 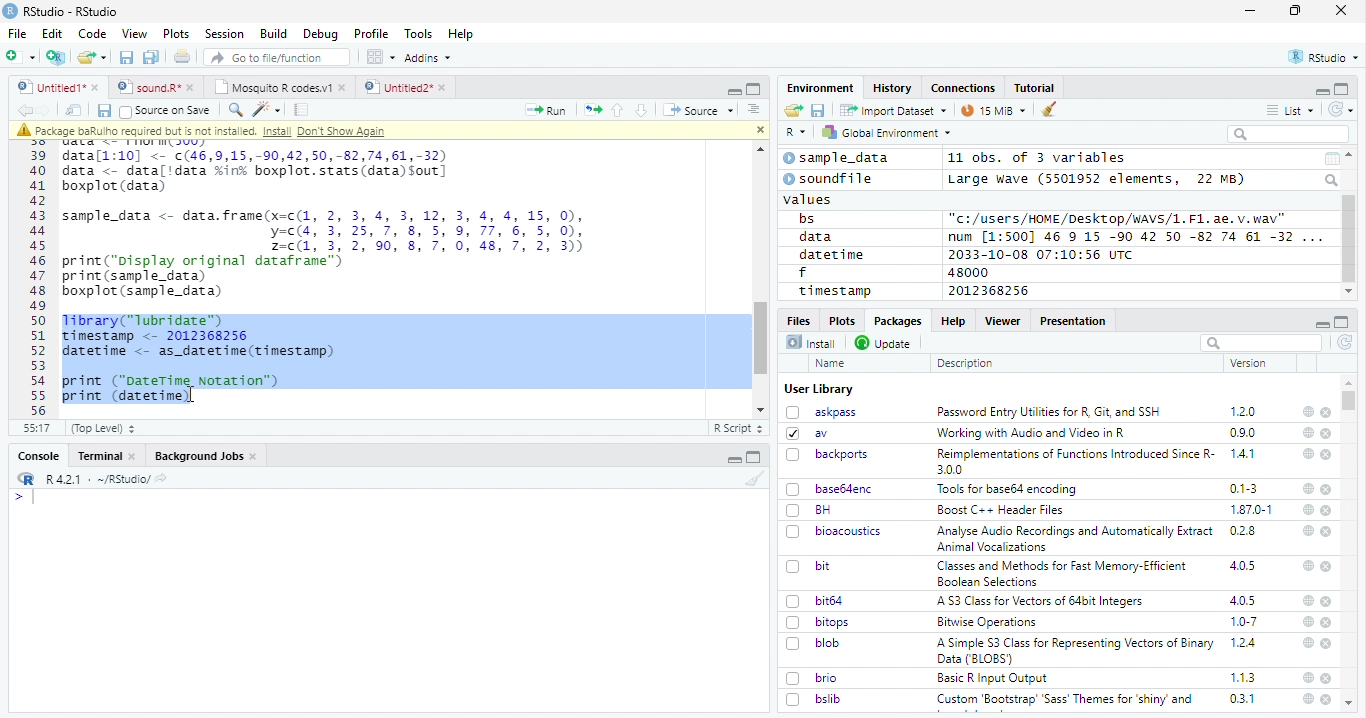 I want to click on Code, so click(x=91, y=34).